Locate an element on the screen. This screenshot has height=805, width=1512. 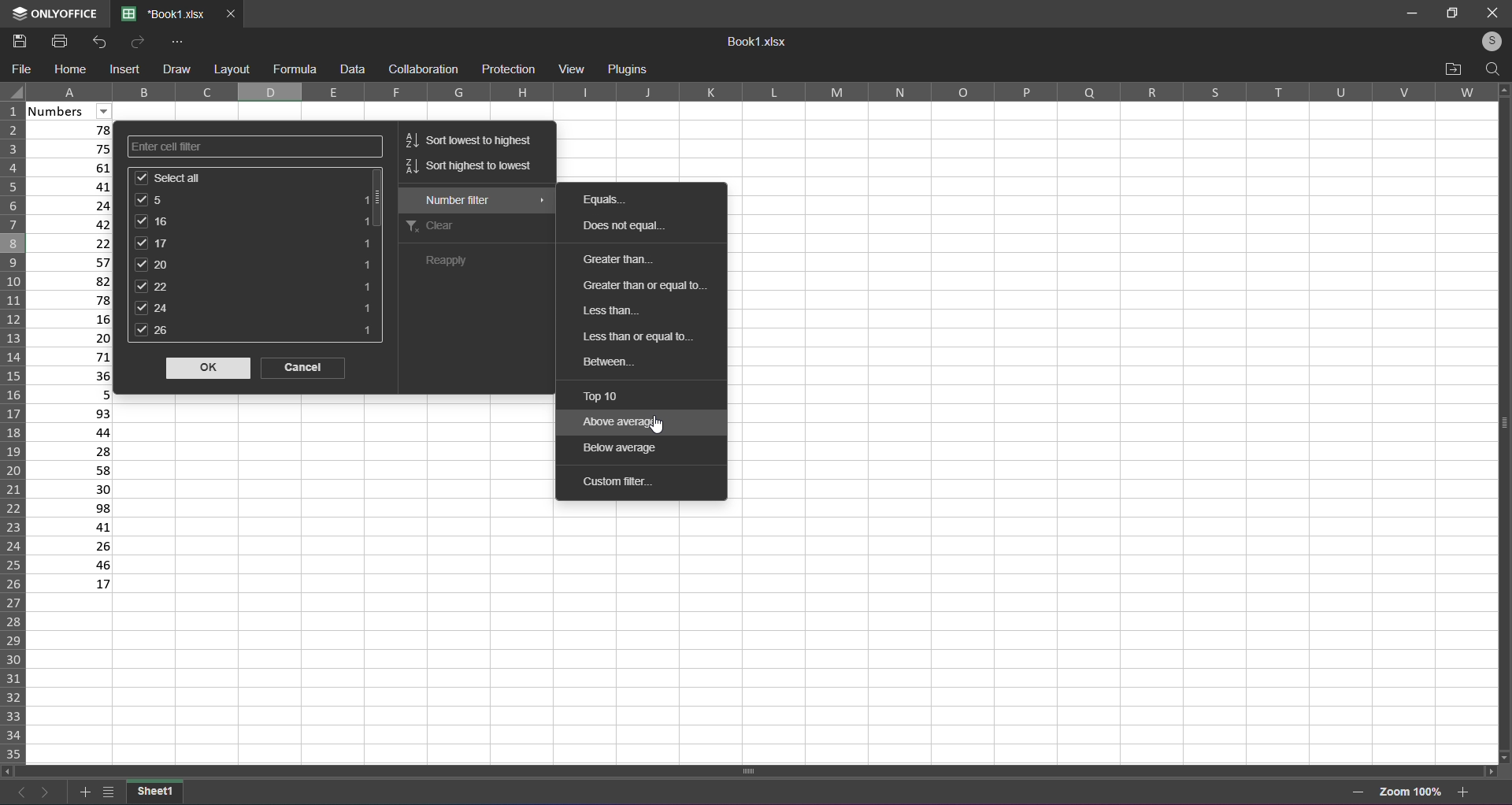
select all is located at coordinates (13, 92).